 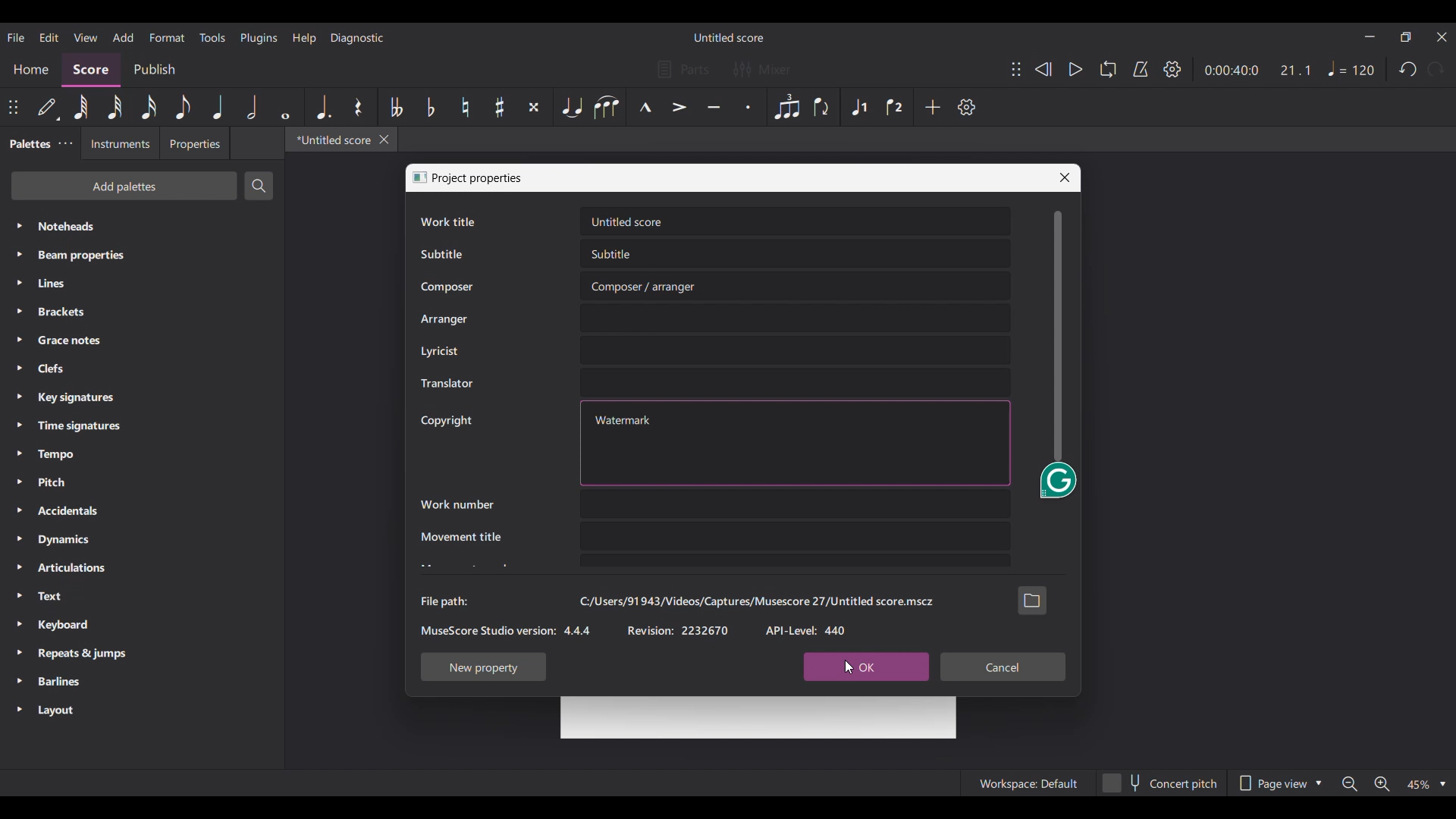 What do you see at coordinates (460, 536) in the screenshot?
I see `Movement title` at bounding box center [460, 536].